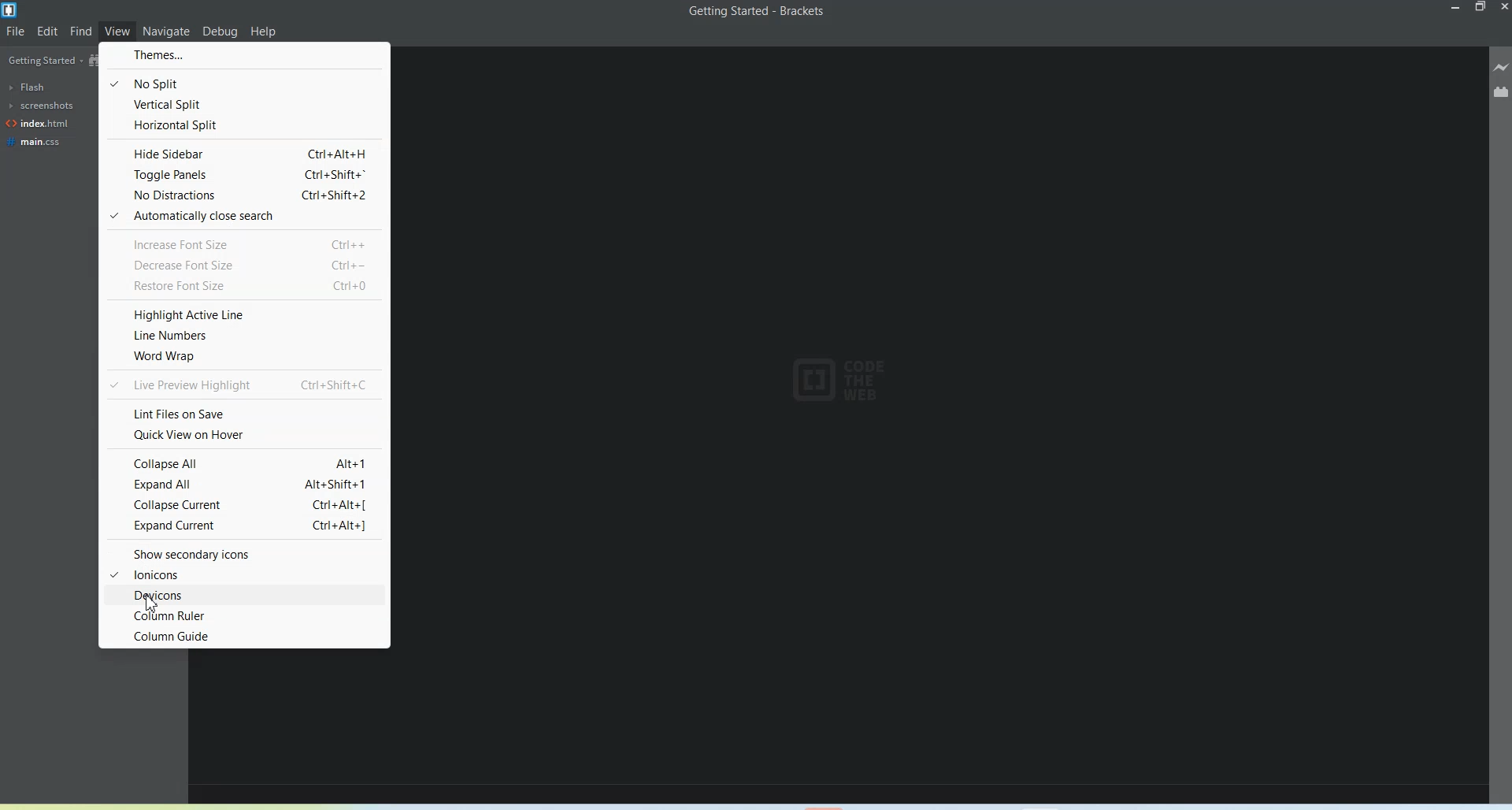 Image resolution: width=1512 pixels, height=810 pixels. What do you see at coordinates (48, 31) in the screenshot?
I see `Edit` at bounding box center [48, 31].